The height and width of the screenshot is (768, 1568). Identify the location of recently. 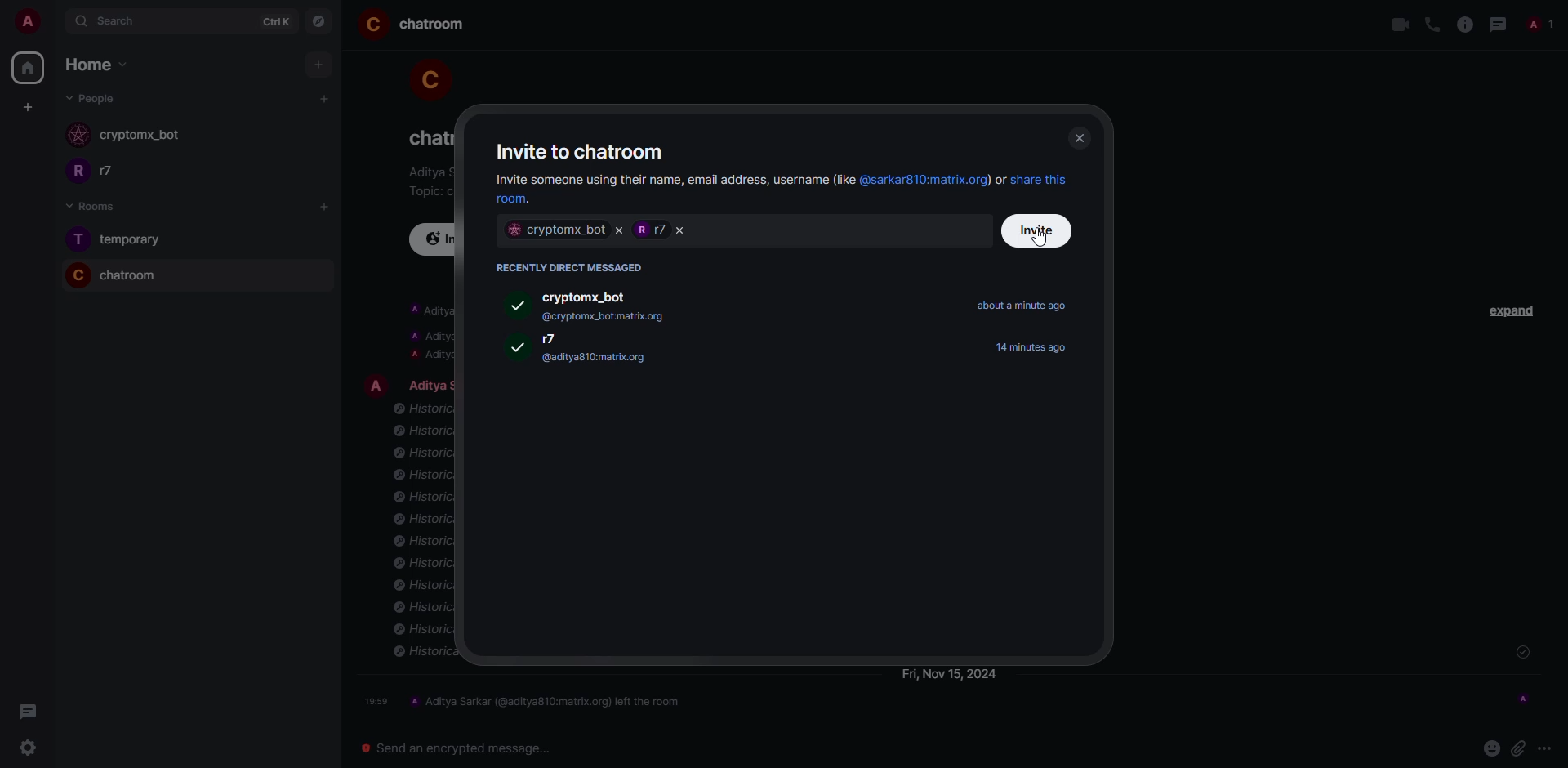
(572, 267).